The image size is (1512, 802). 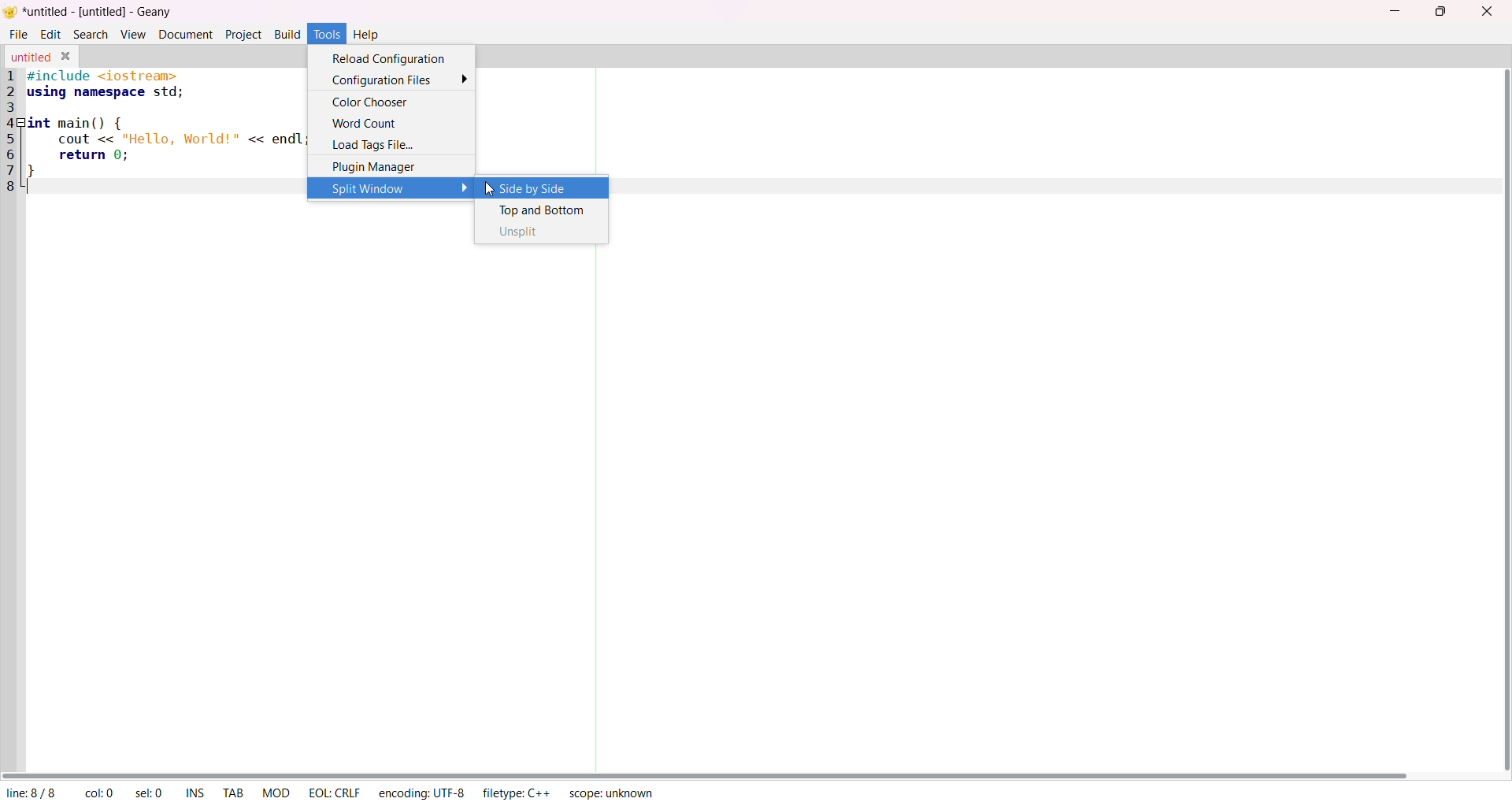 I want to click on Search, so click(x=92, y=35).